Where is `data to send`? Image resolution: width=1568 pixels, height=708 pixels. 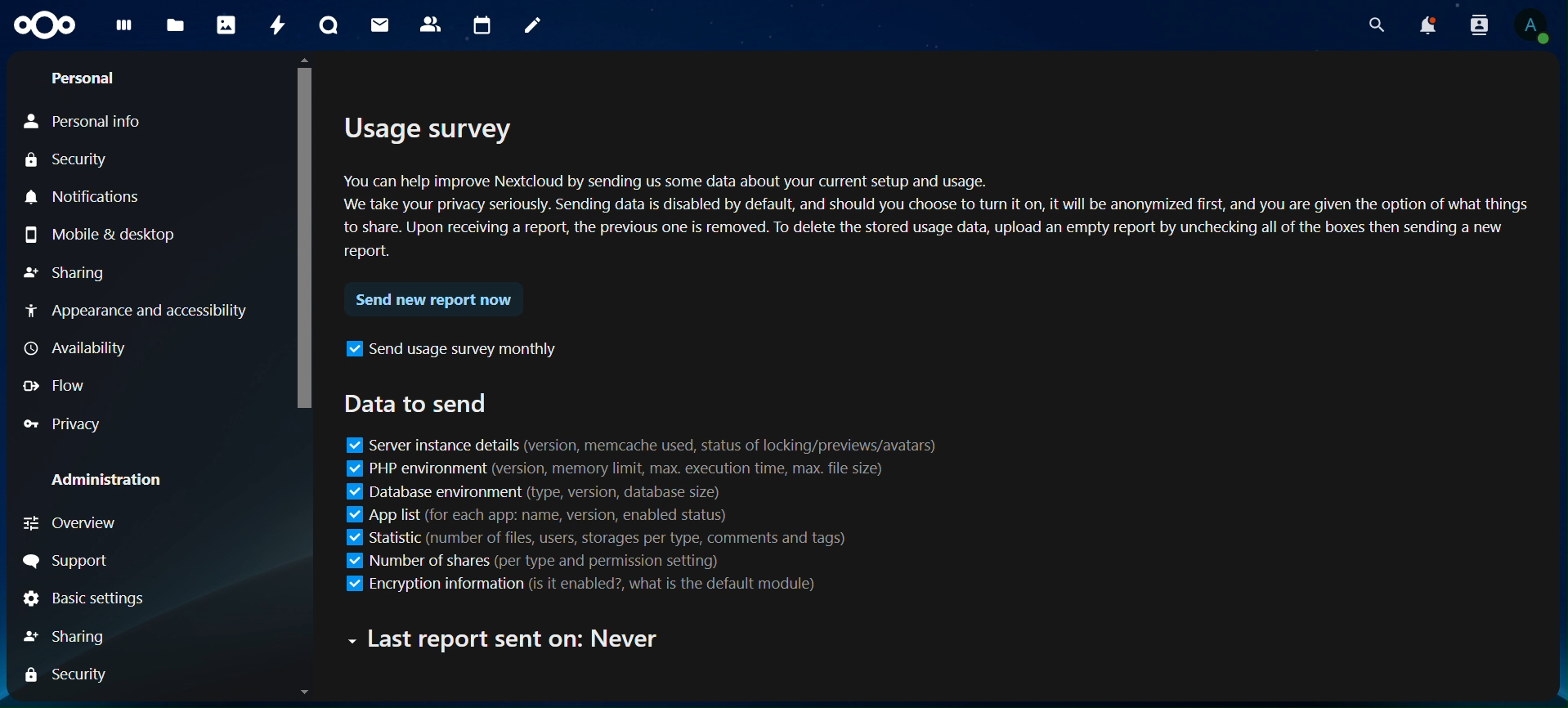
data to send is located at coordinates (415, 402).